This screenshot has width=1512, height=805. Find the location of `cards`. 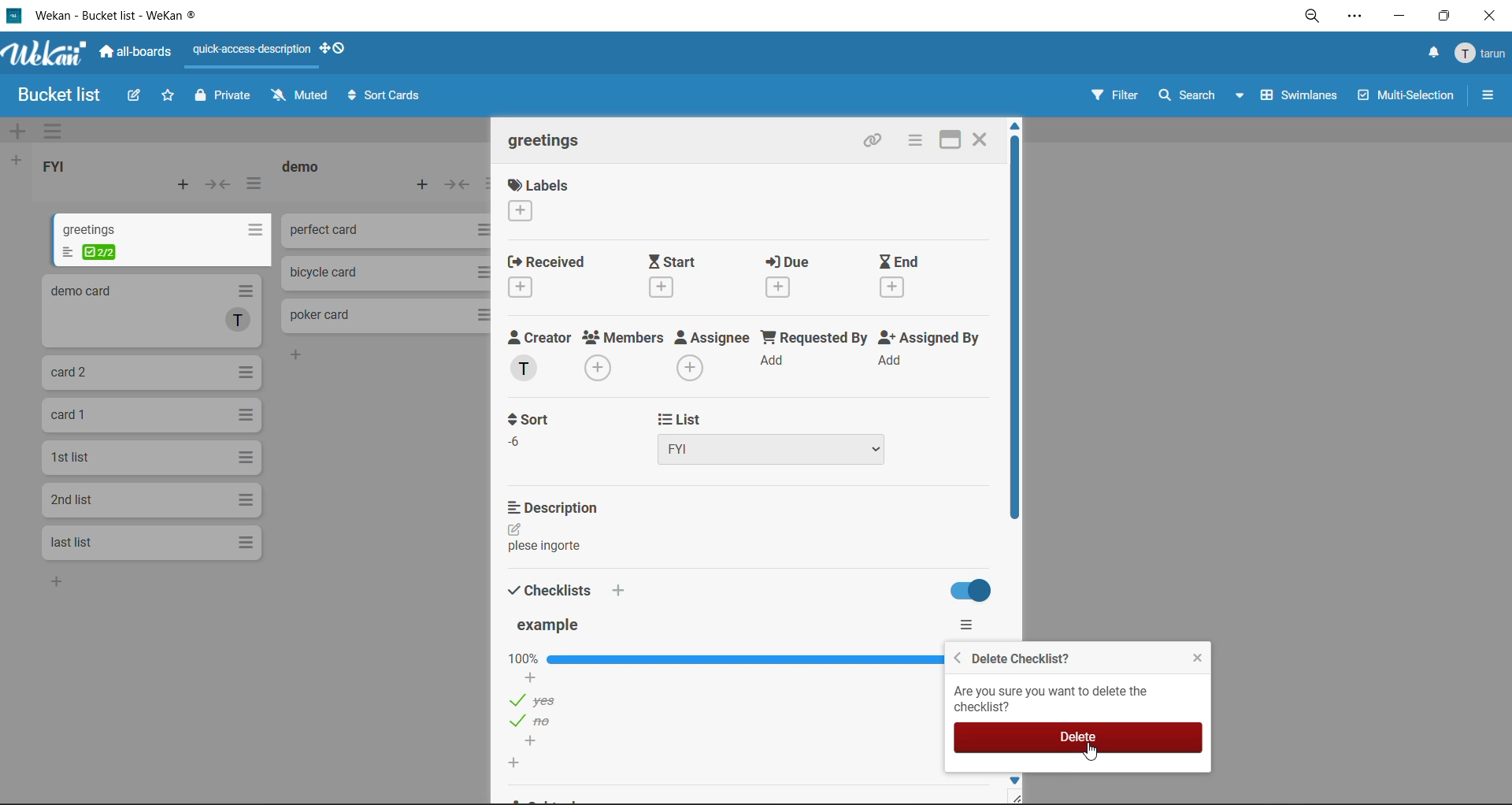

cards is located at coordinates (151, 373).